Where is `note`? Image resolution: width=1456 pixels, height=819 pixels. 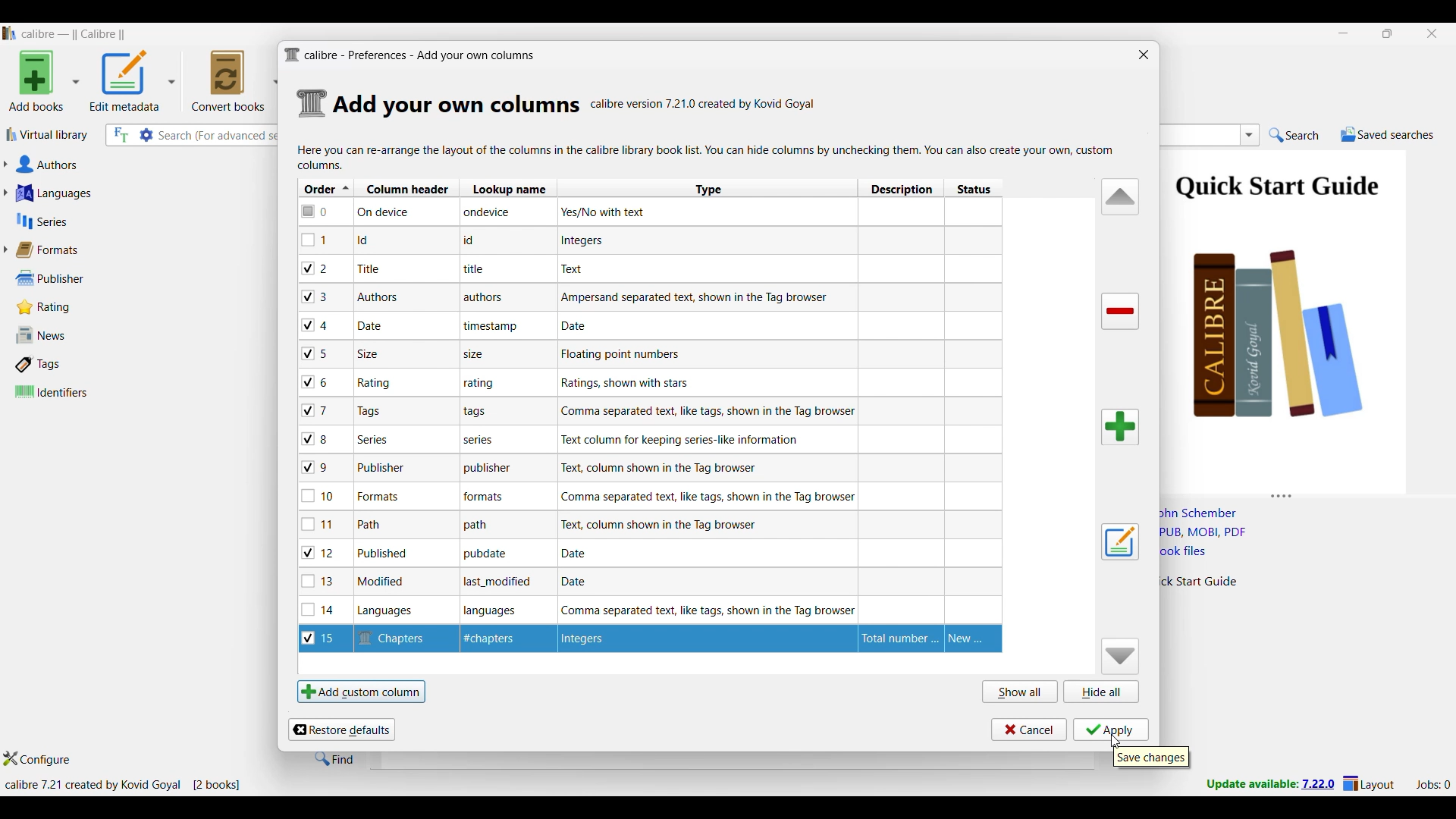 note is located at coordinates (494, 611).